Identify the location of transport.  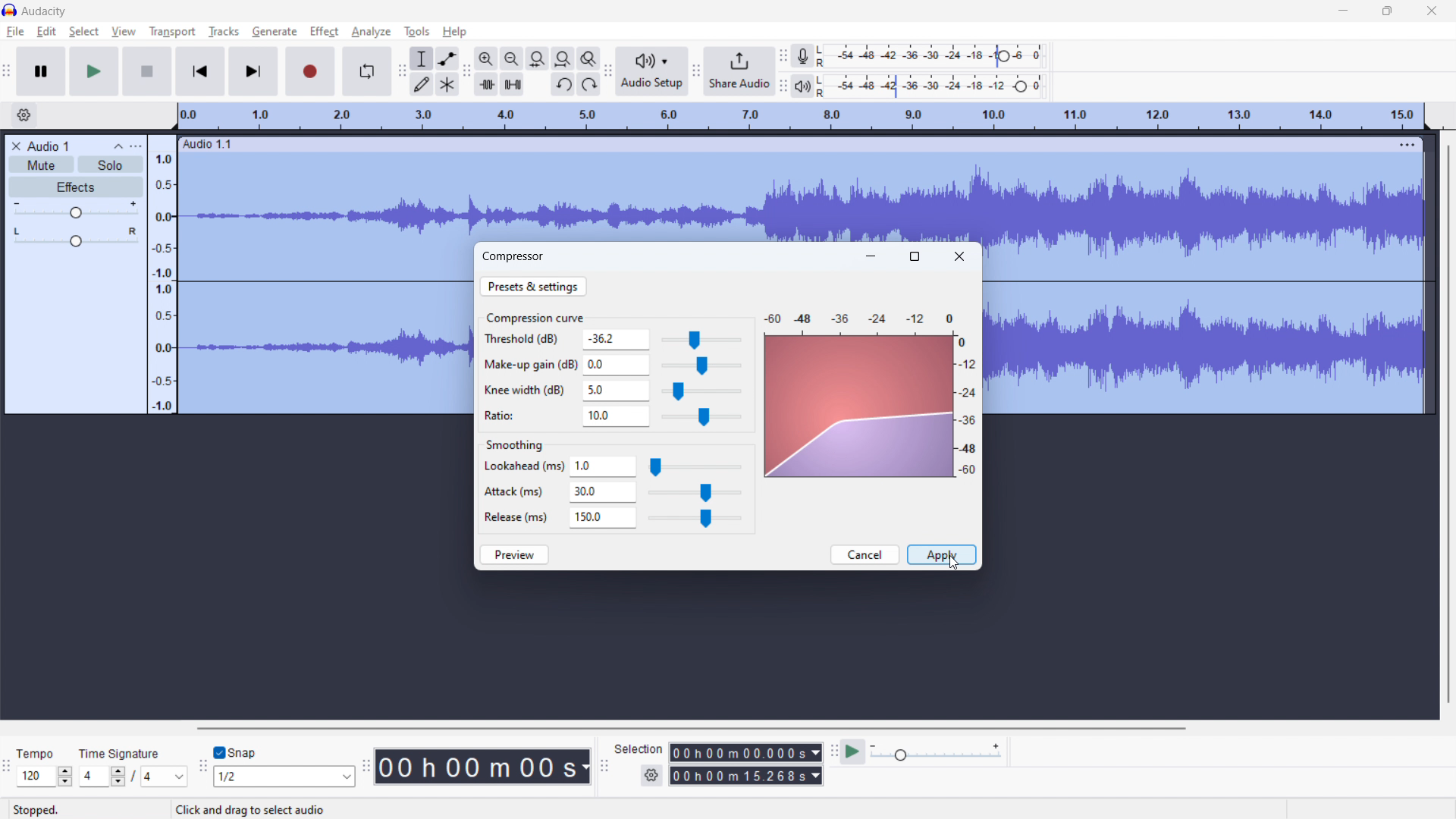
(172, 32).